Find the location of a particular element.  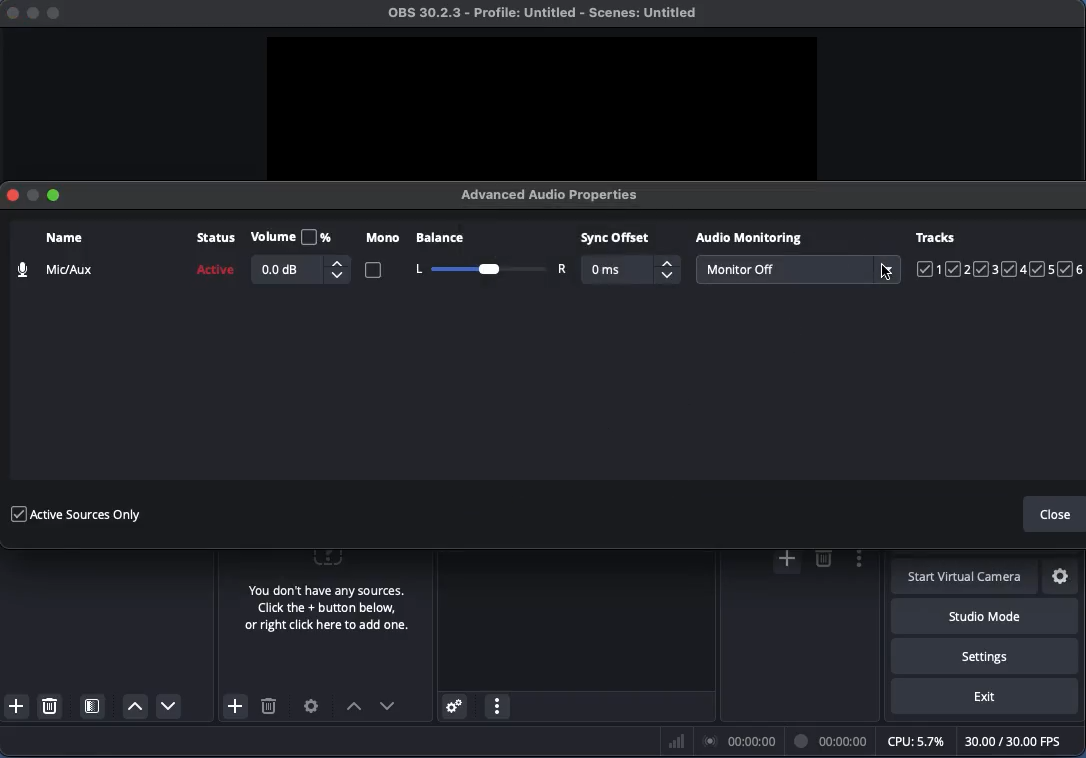

No source selected is located at coordinates (323, 595).